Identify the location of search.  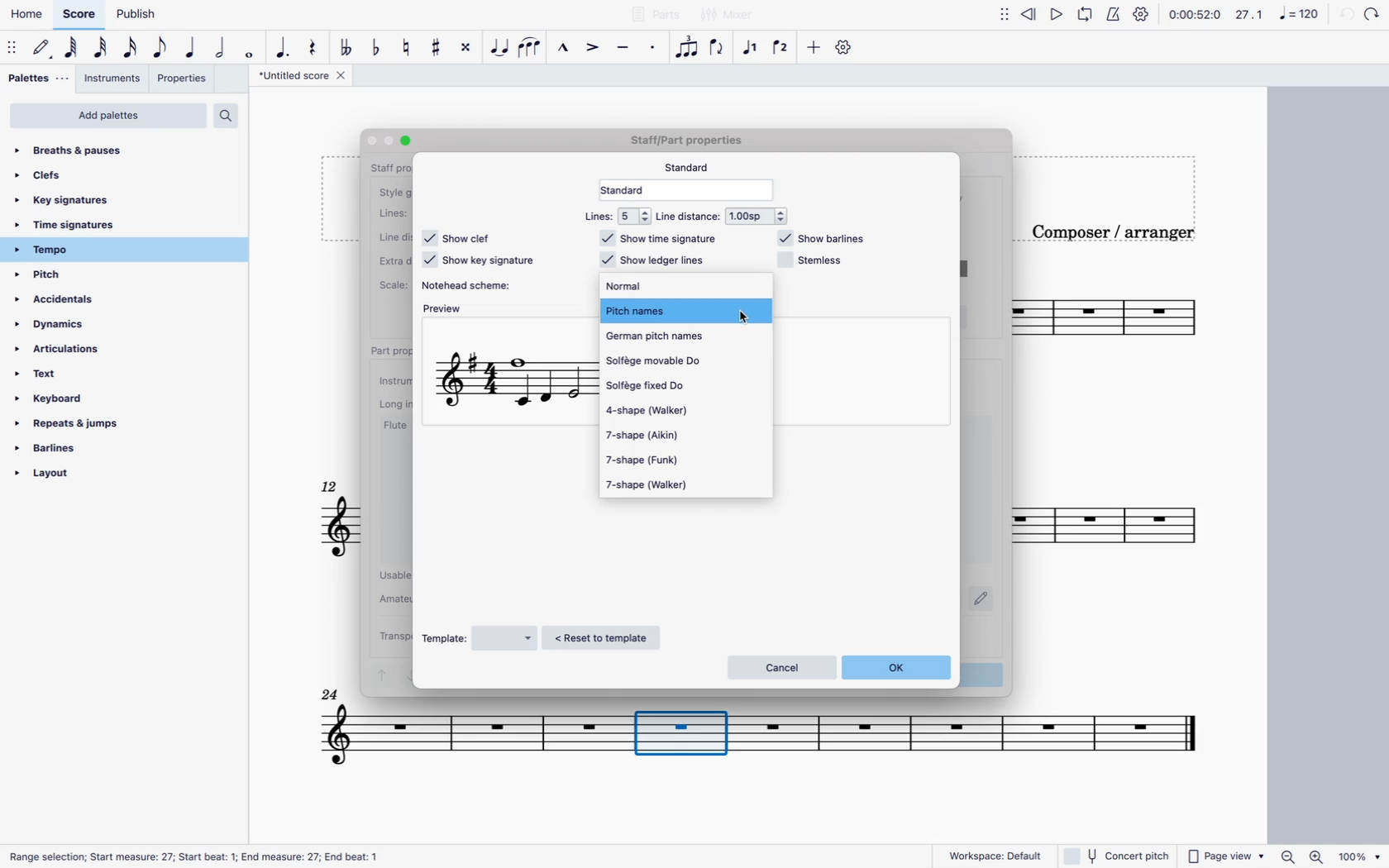
(234, 117).